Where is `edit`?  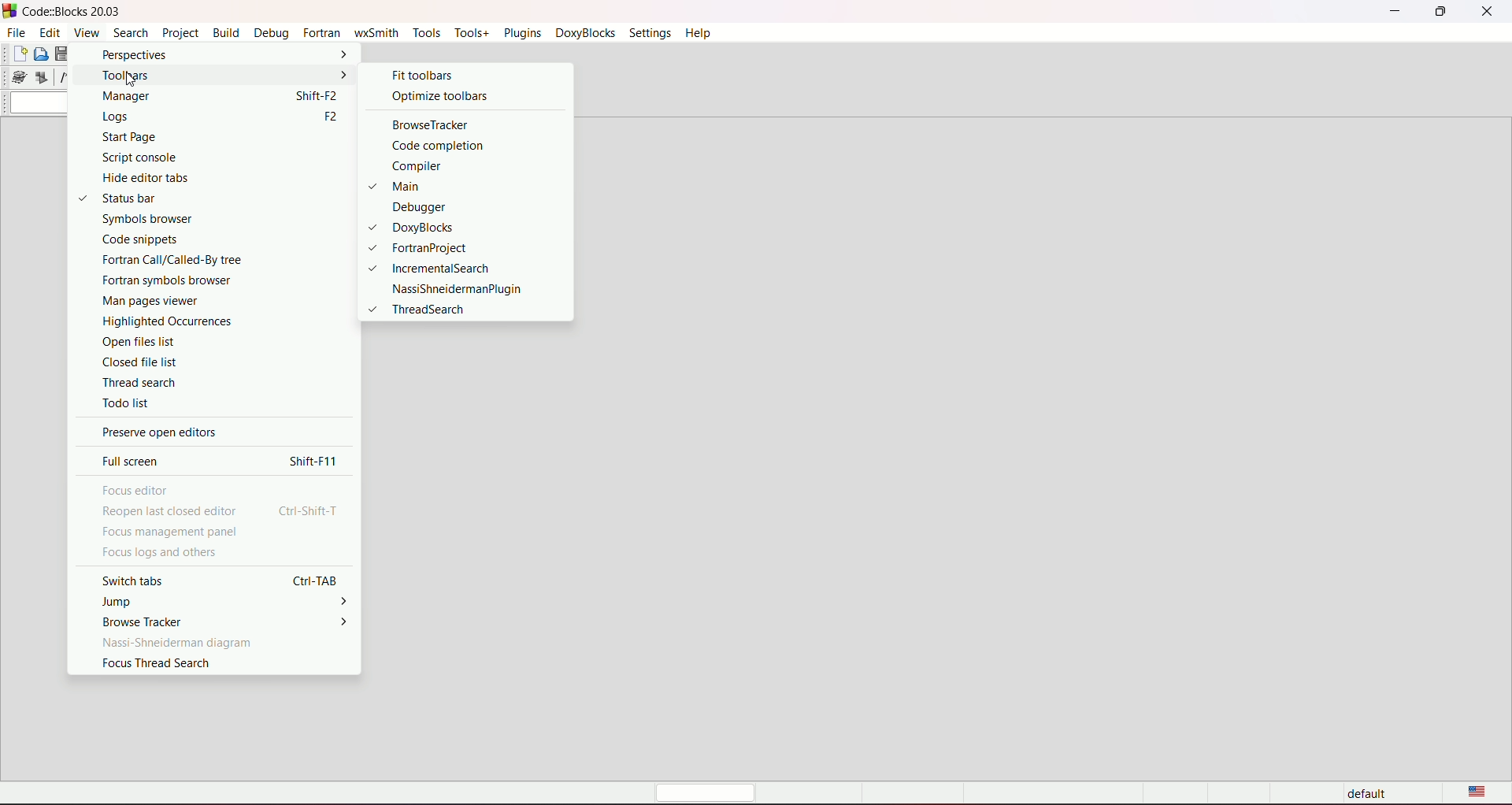
edit is located at coordinates (50, 32).